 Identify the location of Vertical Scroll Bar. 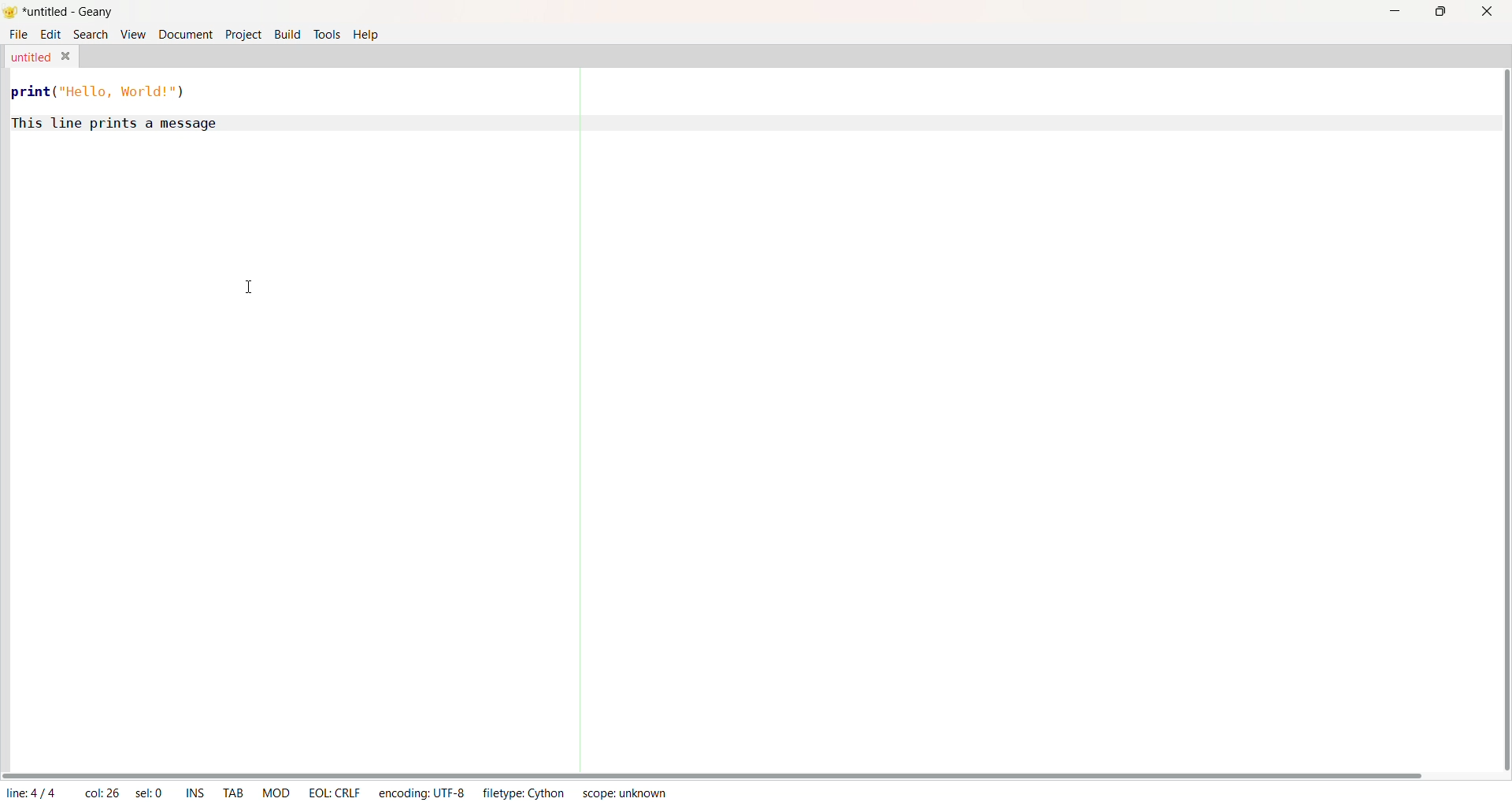
(1495, 419).